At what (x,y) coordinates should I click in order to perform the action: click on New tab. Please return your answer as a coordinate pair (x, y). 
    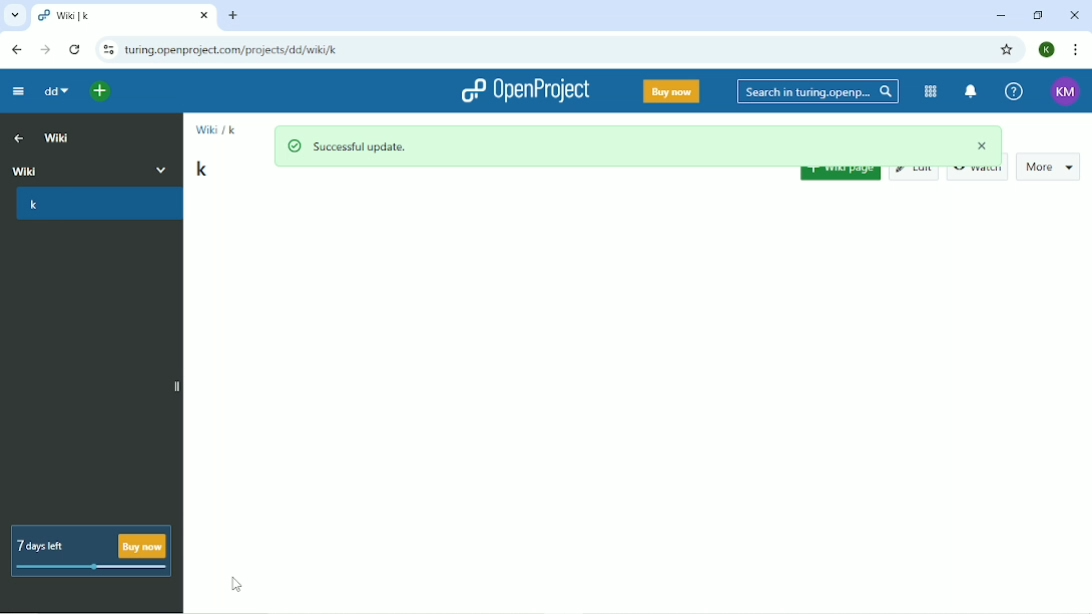
    Looking at the image, I should click on (235, 15).